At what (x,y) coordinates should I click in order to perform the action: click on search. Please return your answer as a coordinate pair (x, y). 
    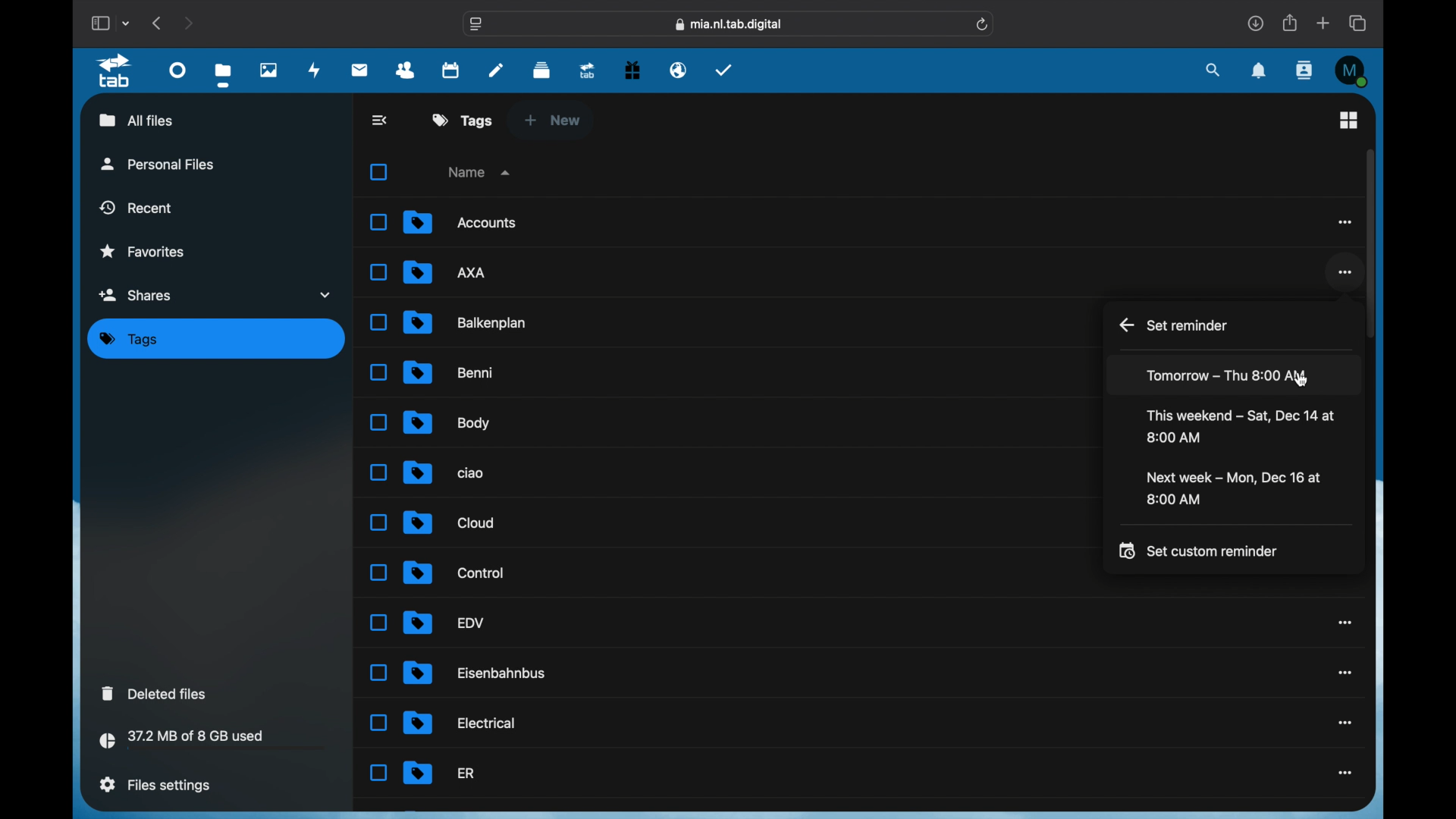
    Looking at the image, I should click on (1213, 70).